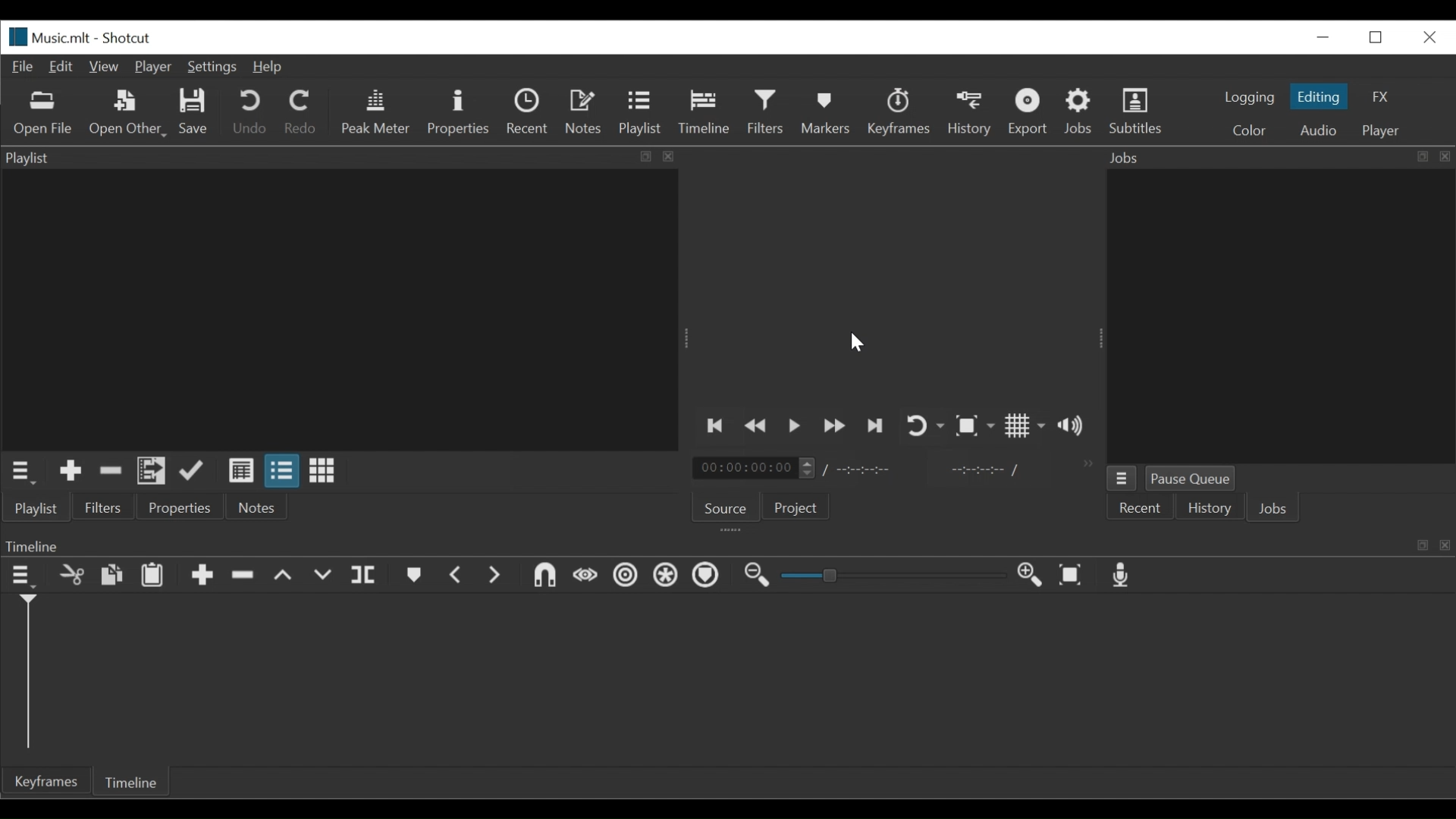 The width and height of the screenshot is (1456, 819). What do you see at coordinates (1122, 573) in the screenshot?
I see `Record audio` at bounding box center [1122, 573].